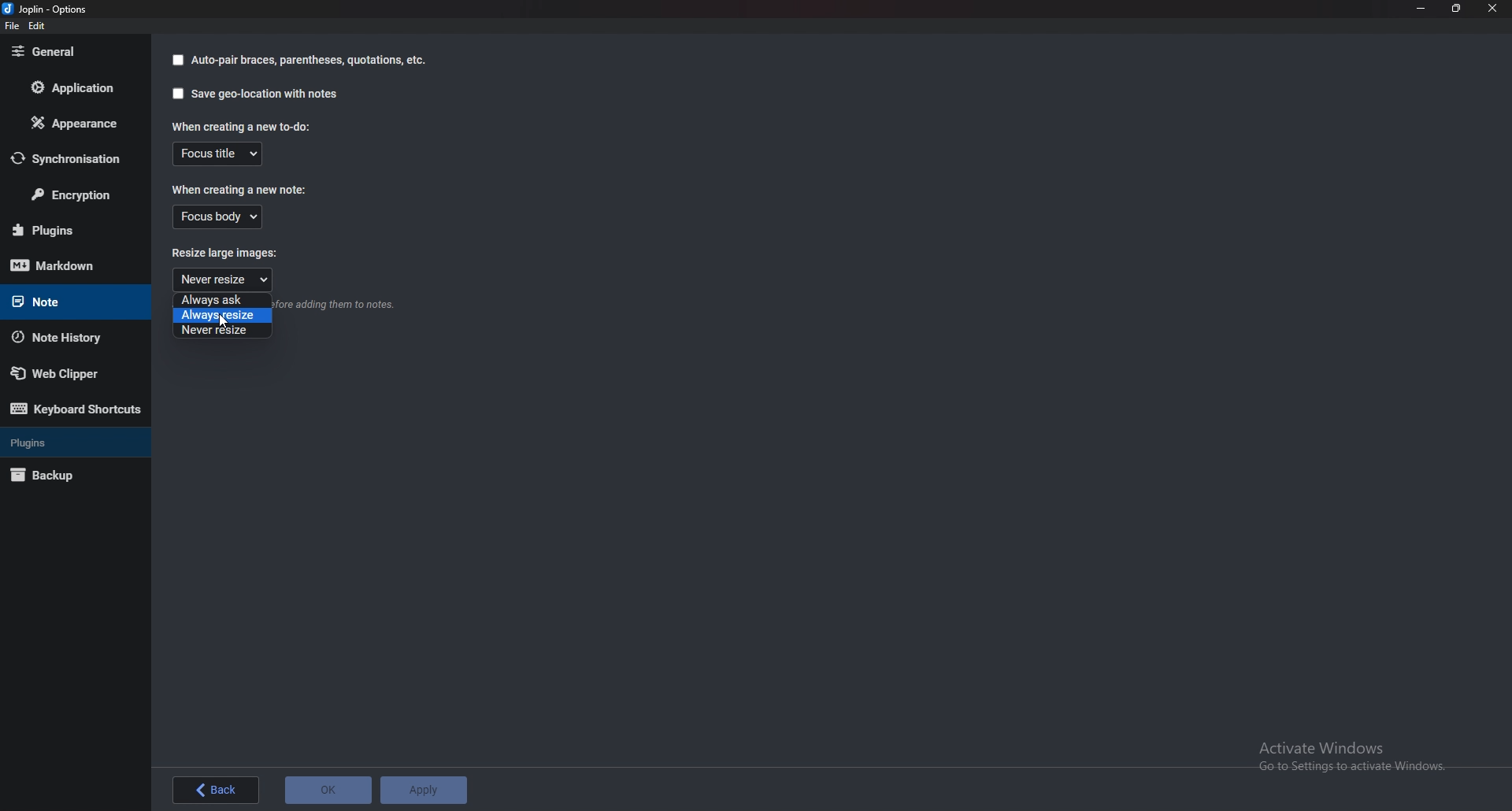 This screenshot has height=811, width=1512. Describe the element at coordinates (223, 332) in the screenshot. I see `Never resize` at that location.